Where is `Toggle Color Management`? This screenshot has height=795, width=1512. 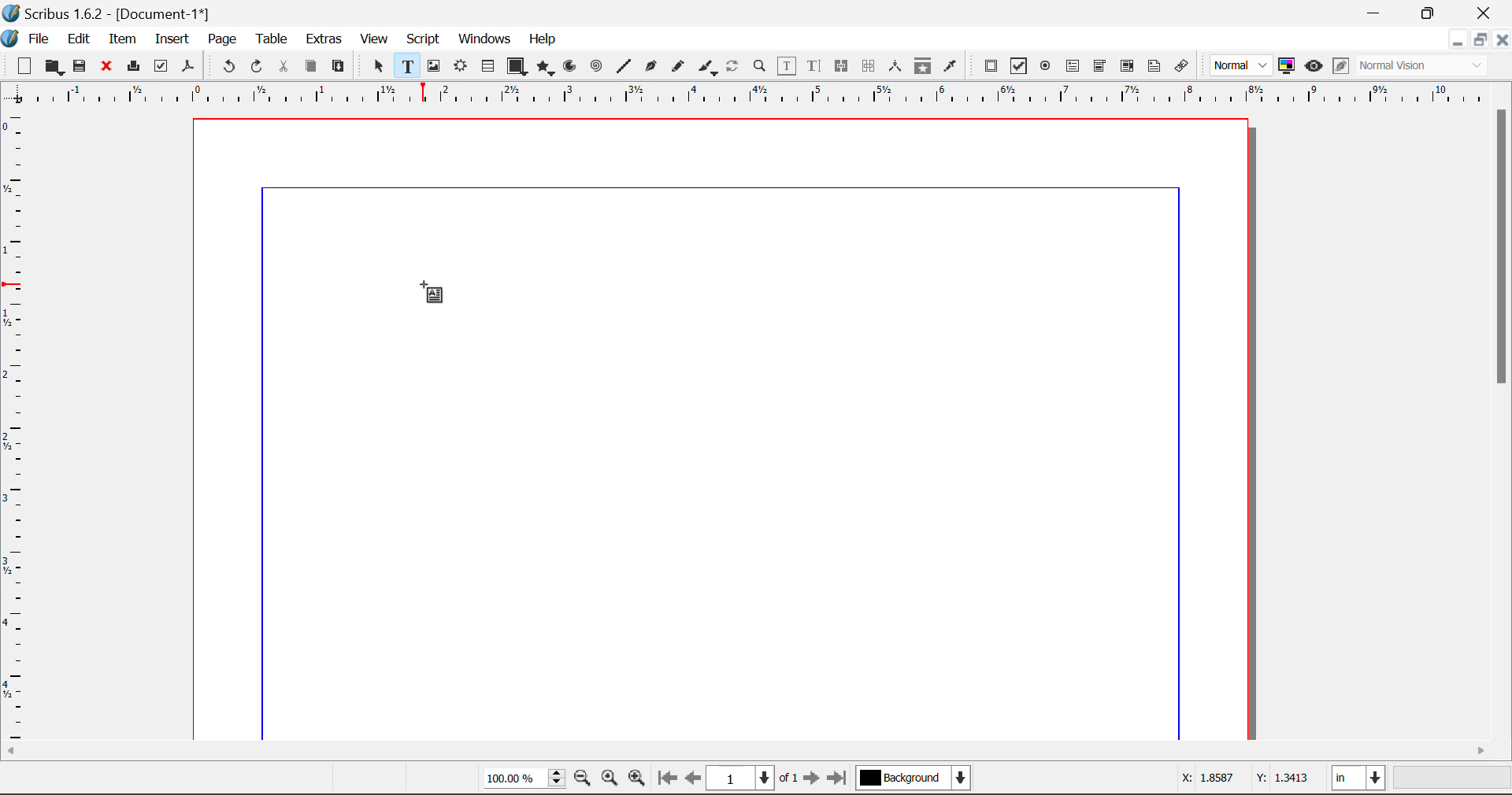 Toggle Color Management is located at coordinates (1288, 67).